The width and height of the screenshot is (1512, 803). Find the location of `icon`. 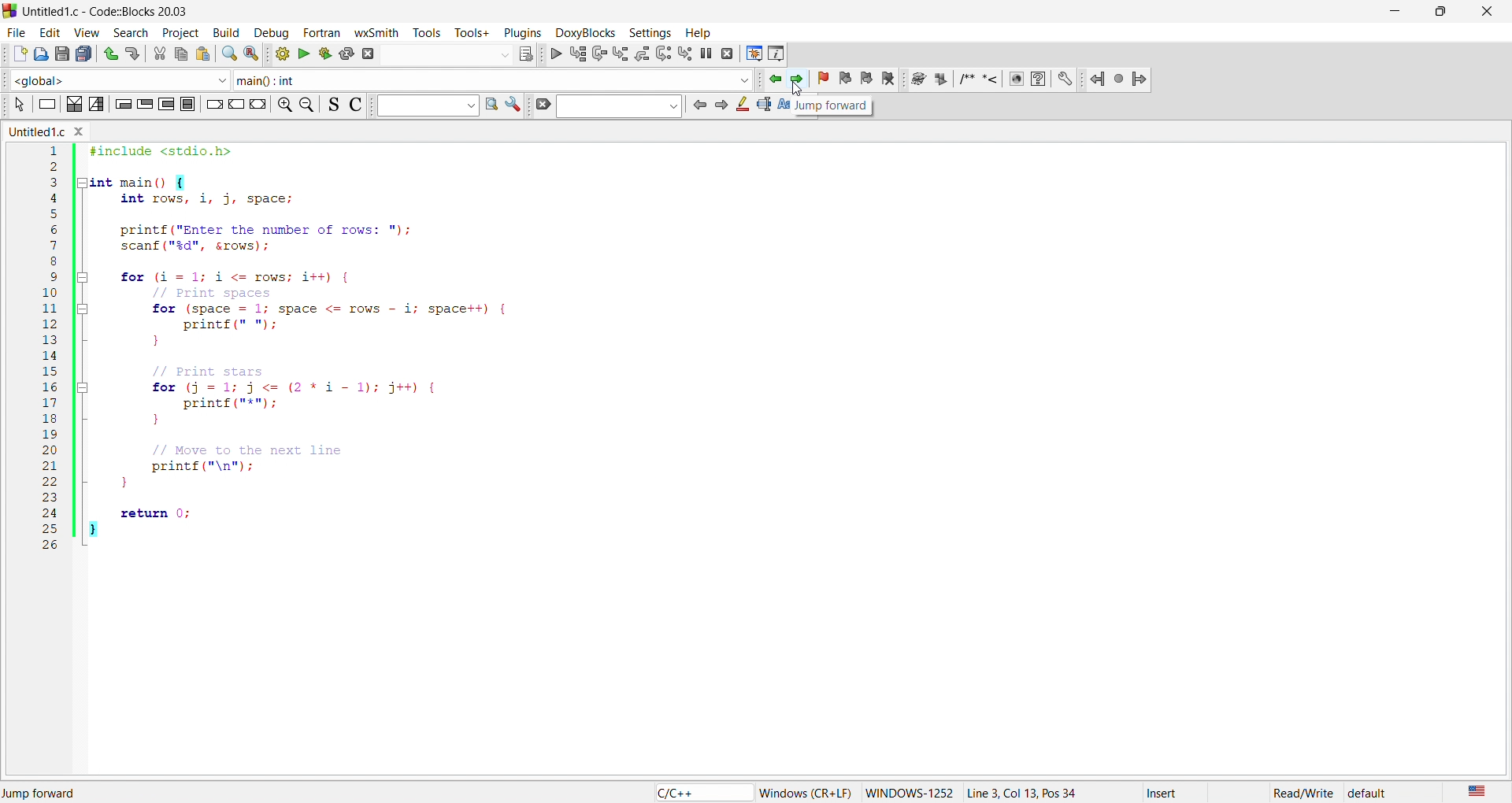

icon is located at coordinates (120, 105).